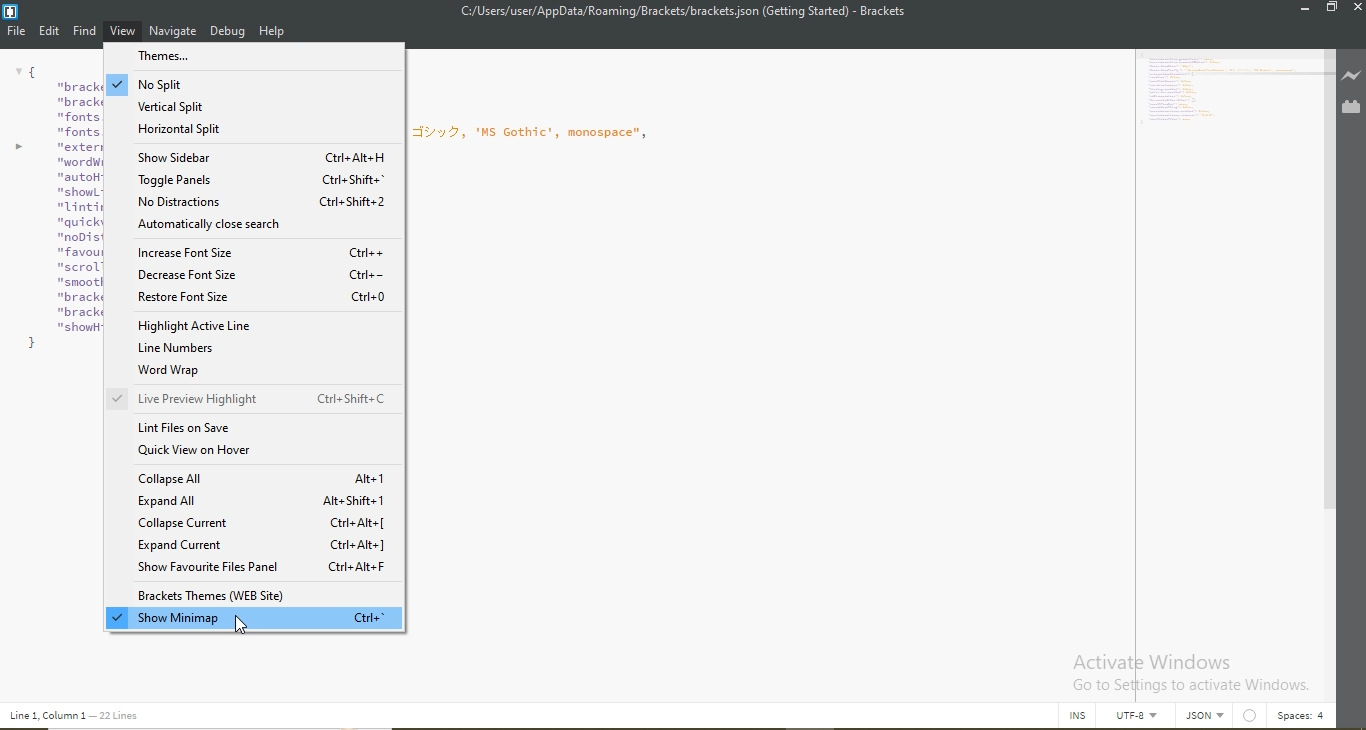 Image resolution: width=1366 pixels, height=730 pixels. What do you see at coordinates (248, 130) in the screenshot?
I see `horizontal split` at bounding box center [248, 130].